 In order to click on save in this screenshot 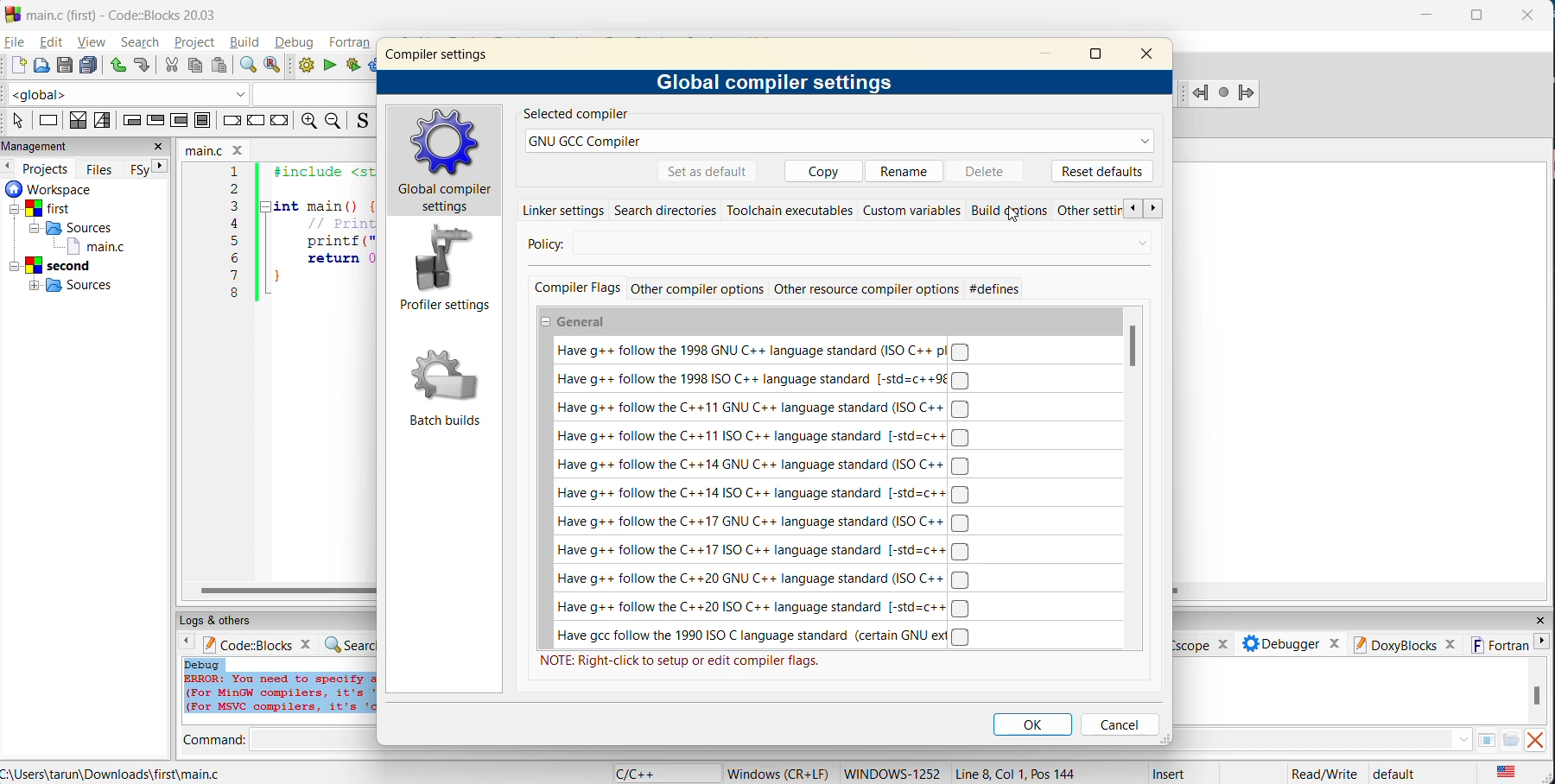, I will do `click(65, 66)`.